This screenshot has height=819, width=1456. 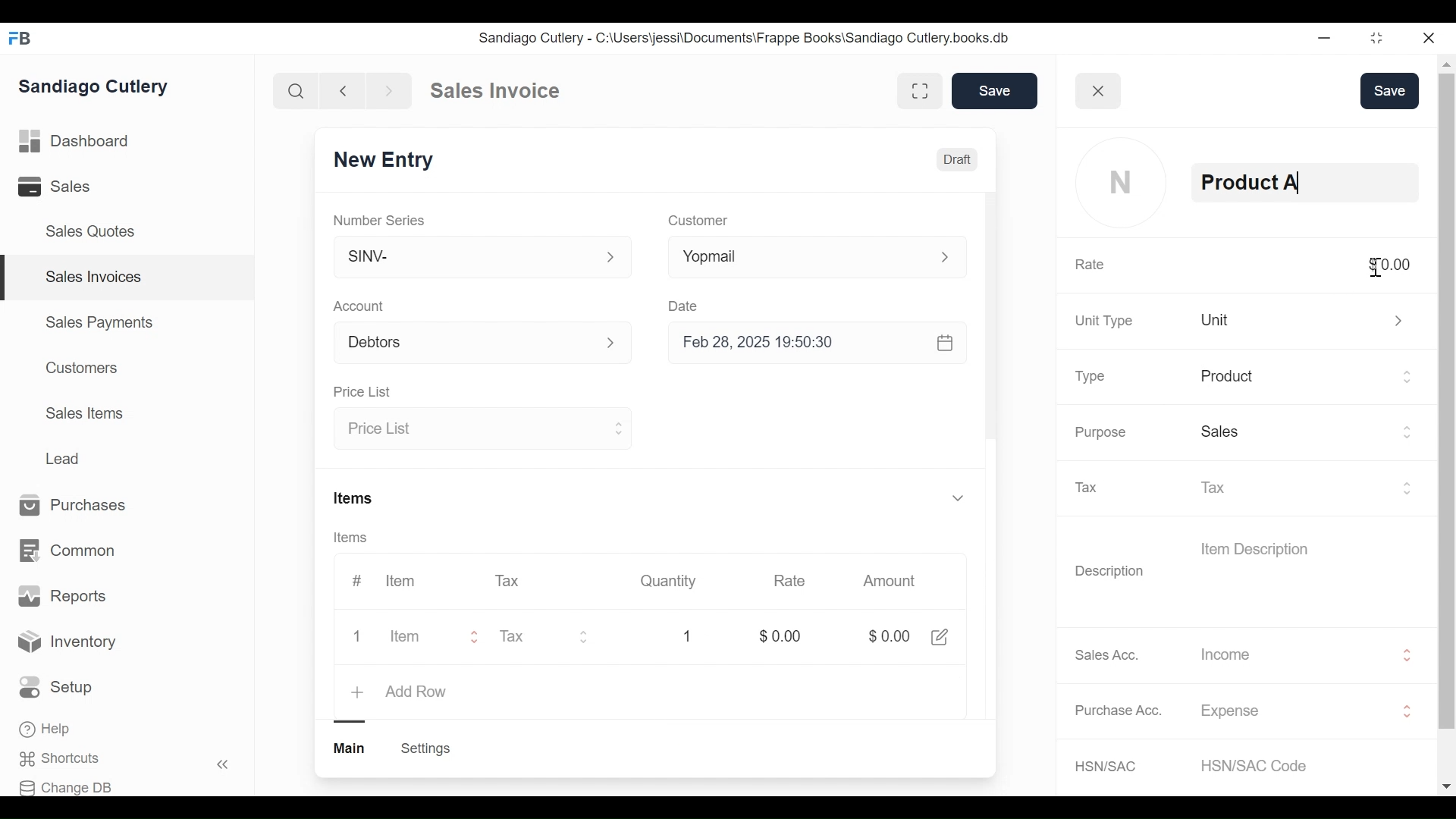 What do you see at coordinates (992, 90) in the screenshot?
I see `Save ` at bounding box center [992, 90].